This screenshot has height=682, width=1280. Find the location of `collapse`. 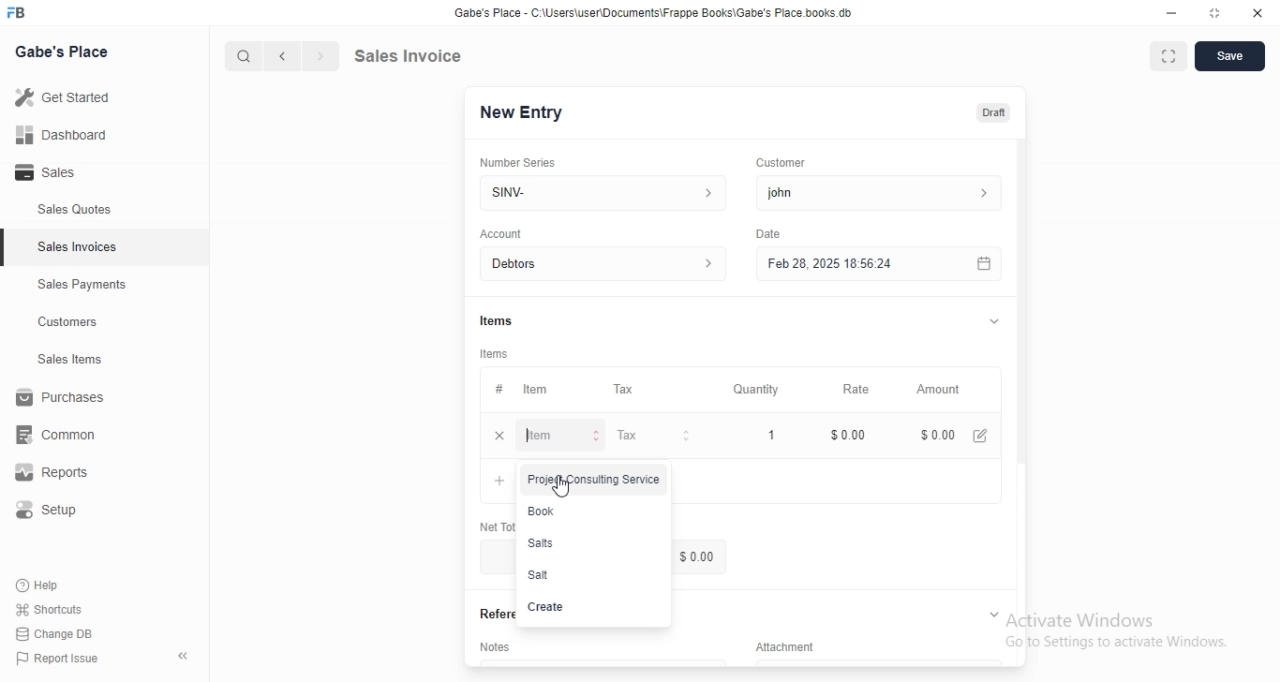

collapse is located at coordinates (185, 656).